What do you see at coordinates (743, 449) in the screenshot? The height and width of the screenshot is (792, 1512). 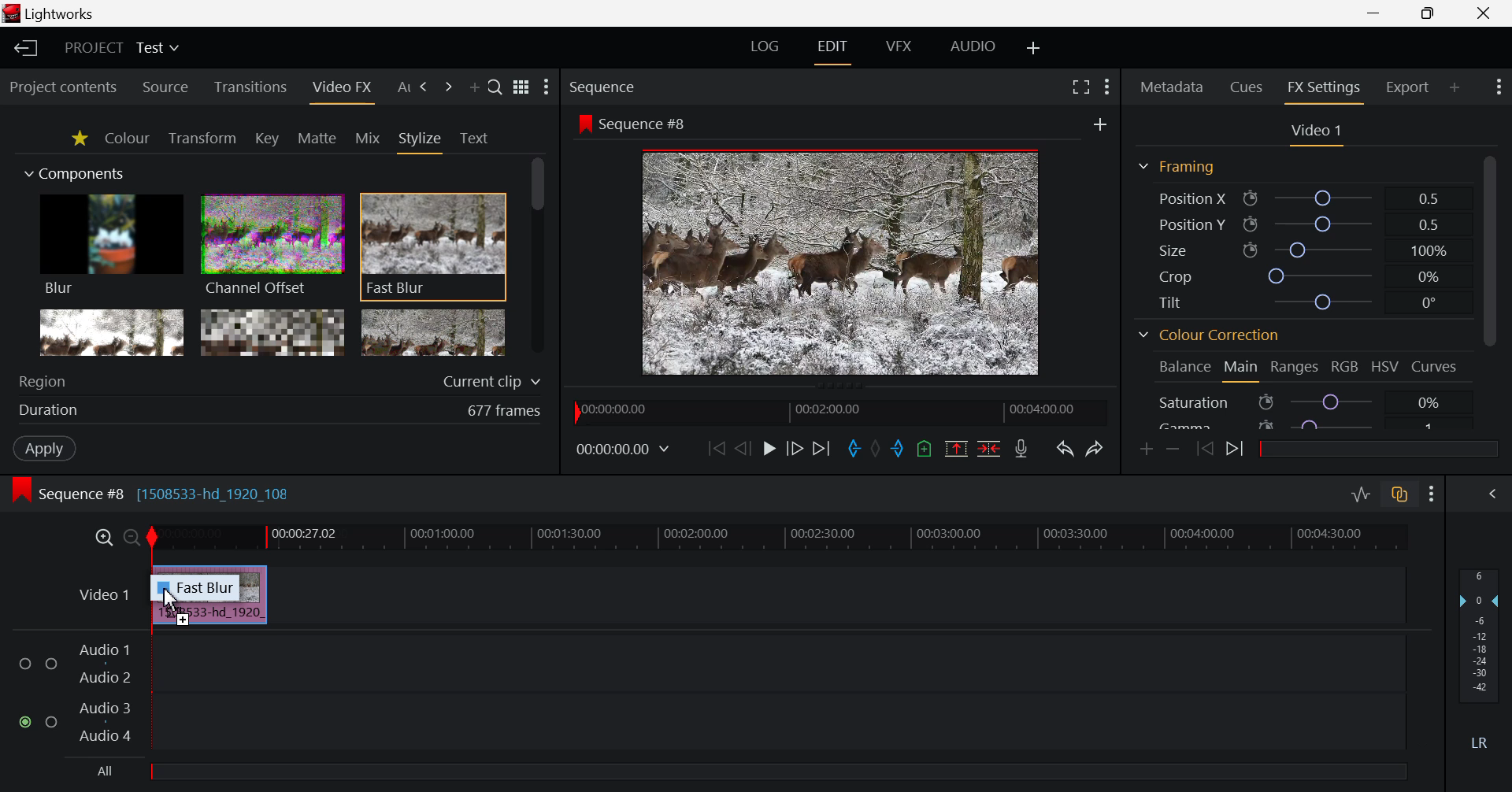 I see `Go Back` at bounding box center [743, 449].